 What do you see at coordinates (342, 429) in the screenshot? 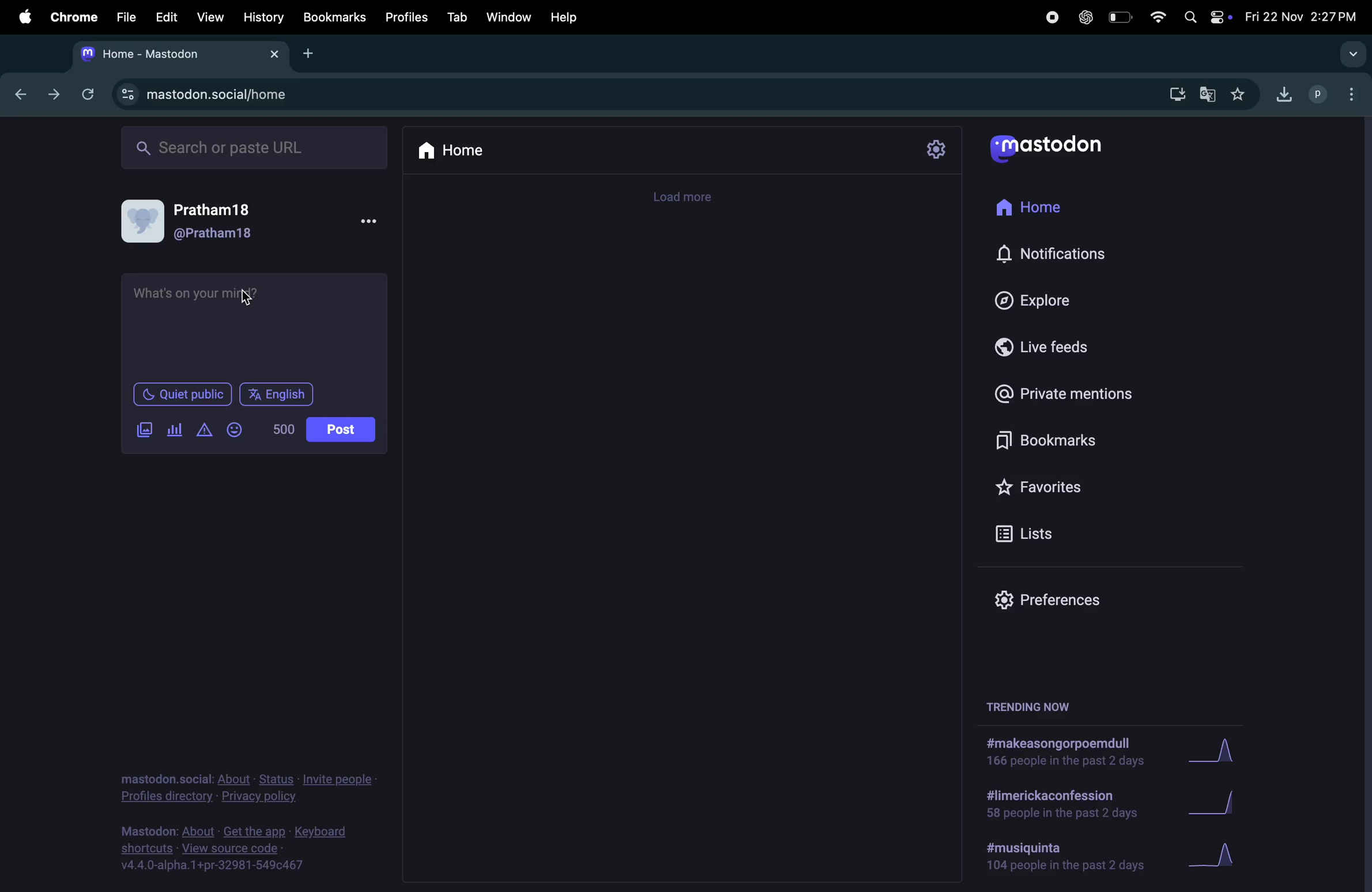
I see `posts` at bounding box center [342, 429].